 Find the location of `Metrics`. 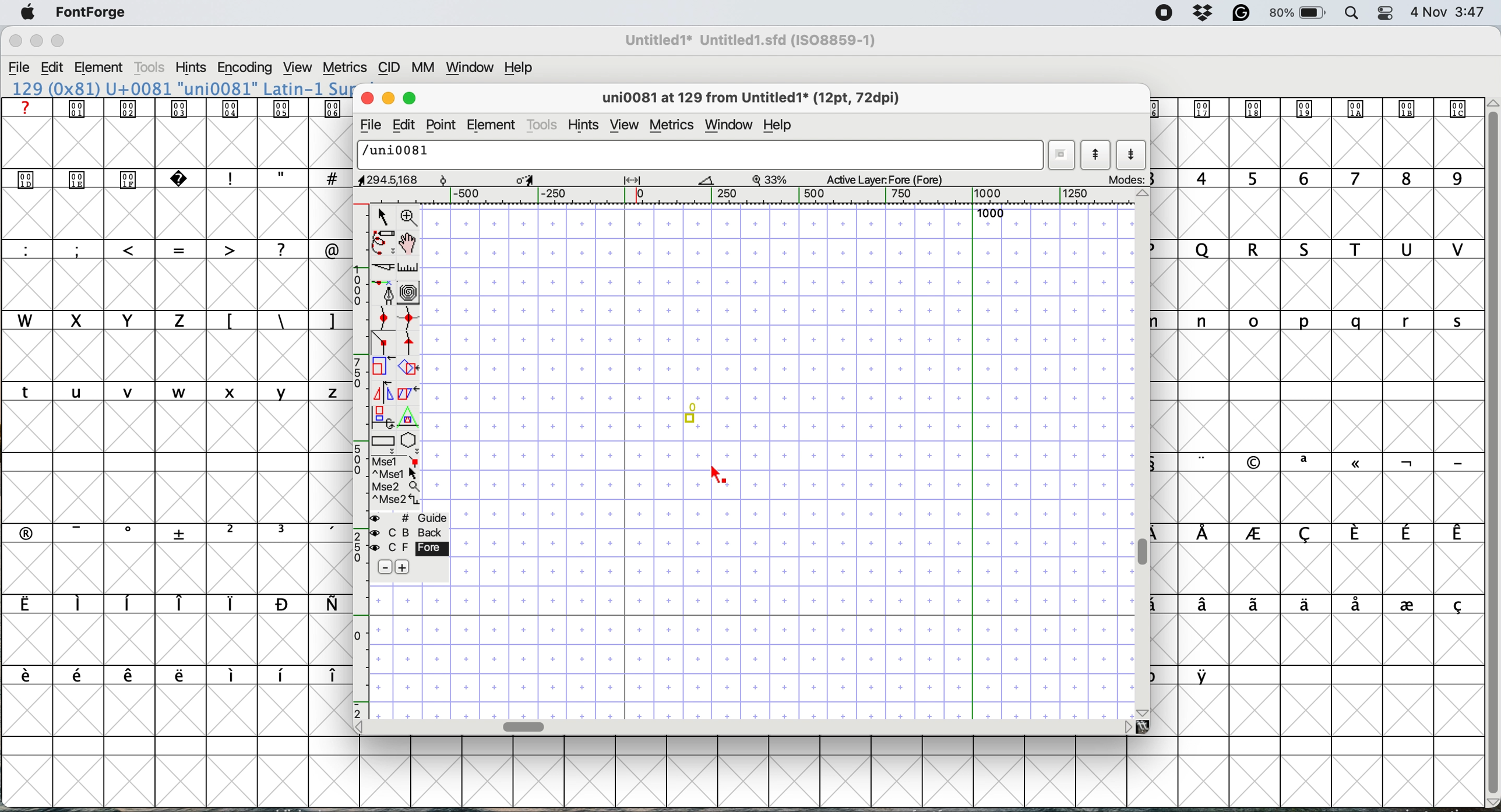

Metrics is located at coordinates (344, 69).